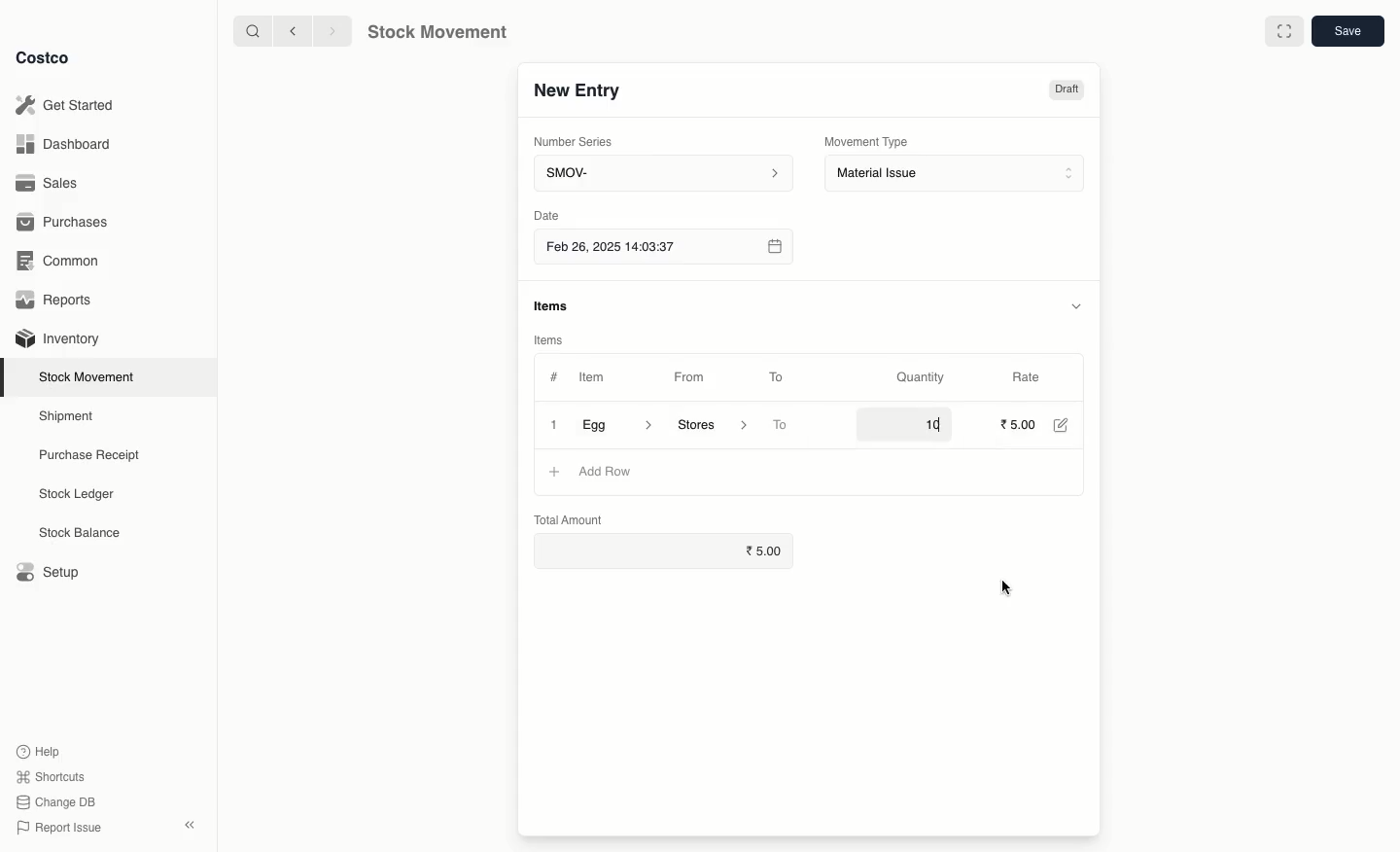 This screenshot has height=852, width=1400. What do you see at coordinates (1079, 304) in the screenshot?
I see `hide` at bounding box center [1079, 304].